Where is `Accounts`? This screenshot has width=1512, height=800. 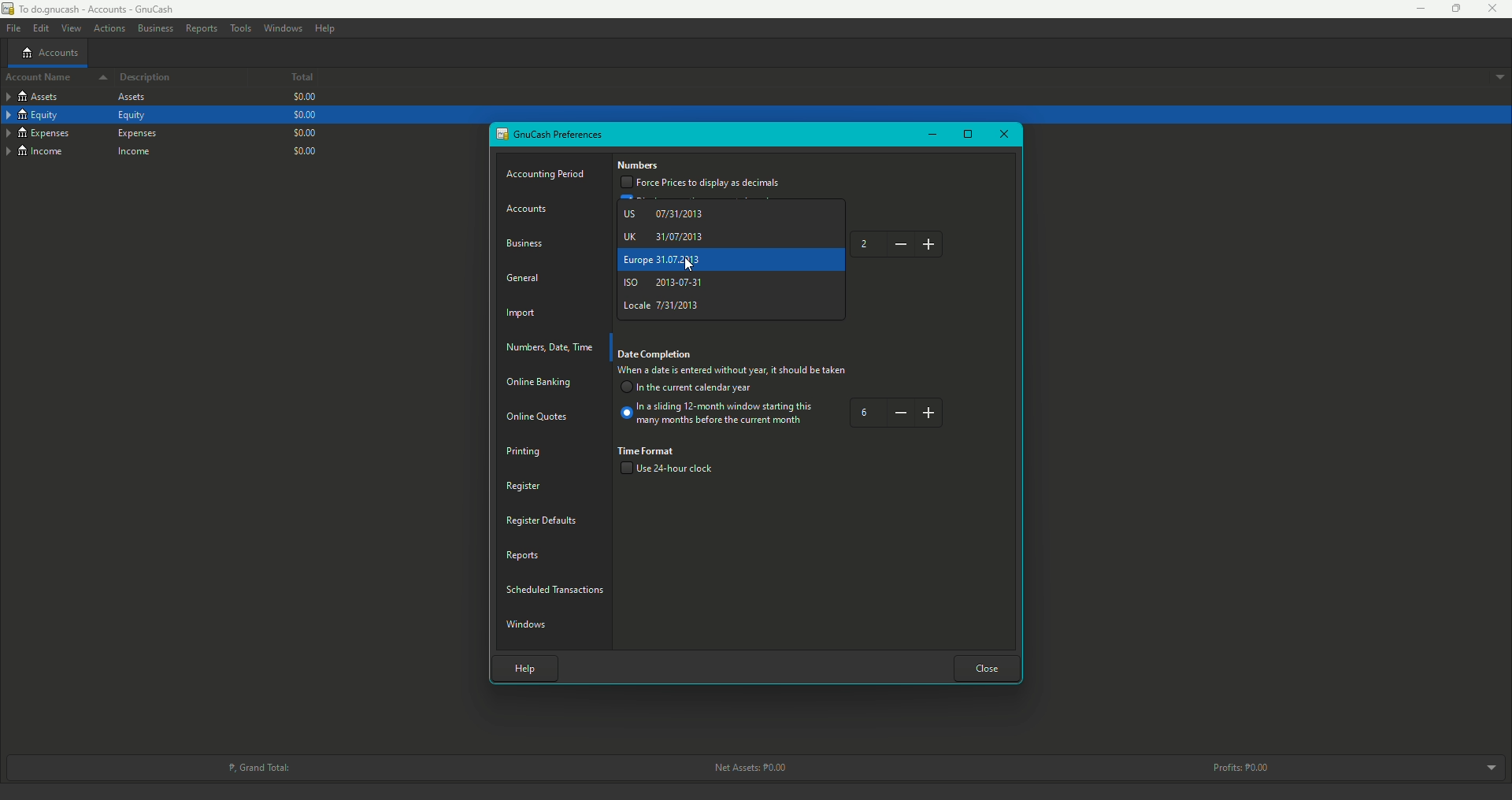
Accounts is located at coordinates (50, 52).